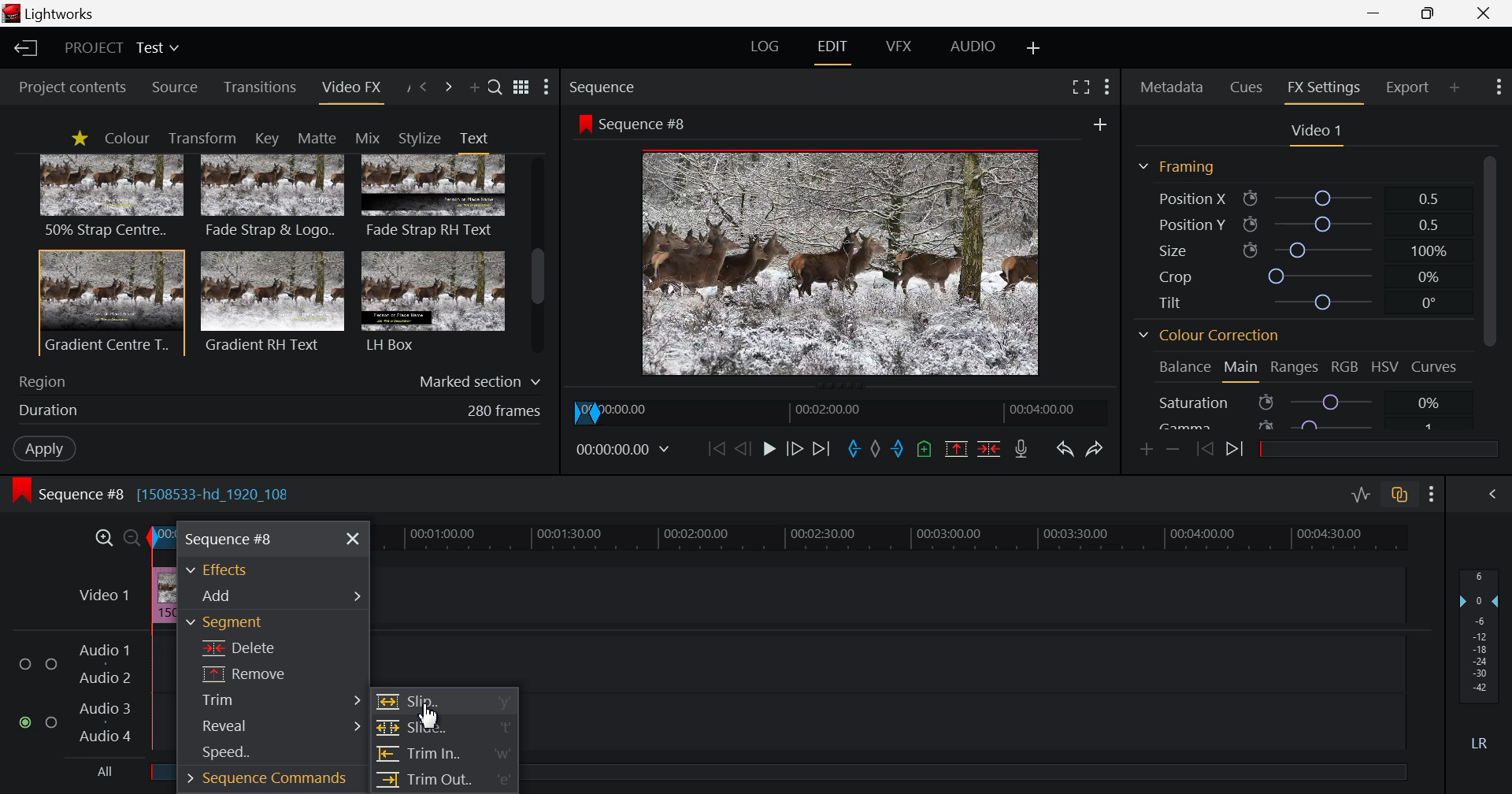 This screenshot has width=1512, height=794. Describe the element at coordinates (1323, 87) in the screenshot. I see `FX Settings` at that location.